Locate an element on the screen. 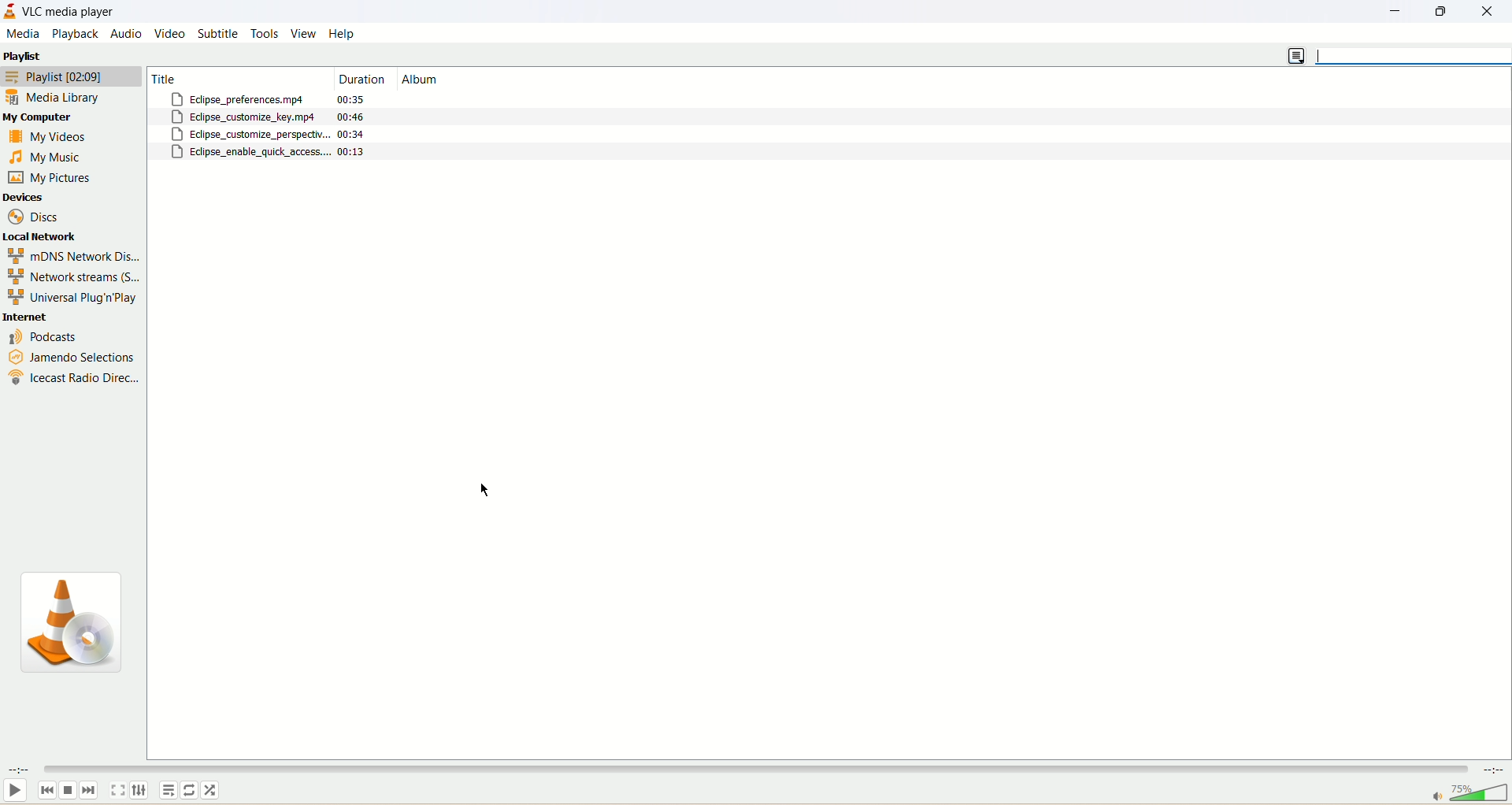 Image resolution: width=1512 pixels, height=805 pixels. next is located at coordinates (91, 790).